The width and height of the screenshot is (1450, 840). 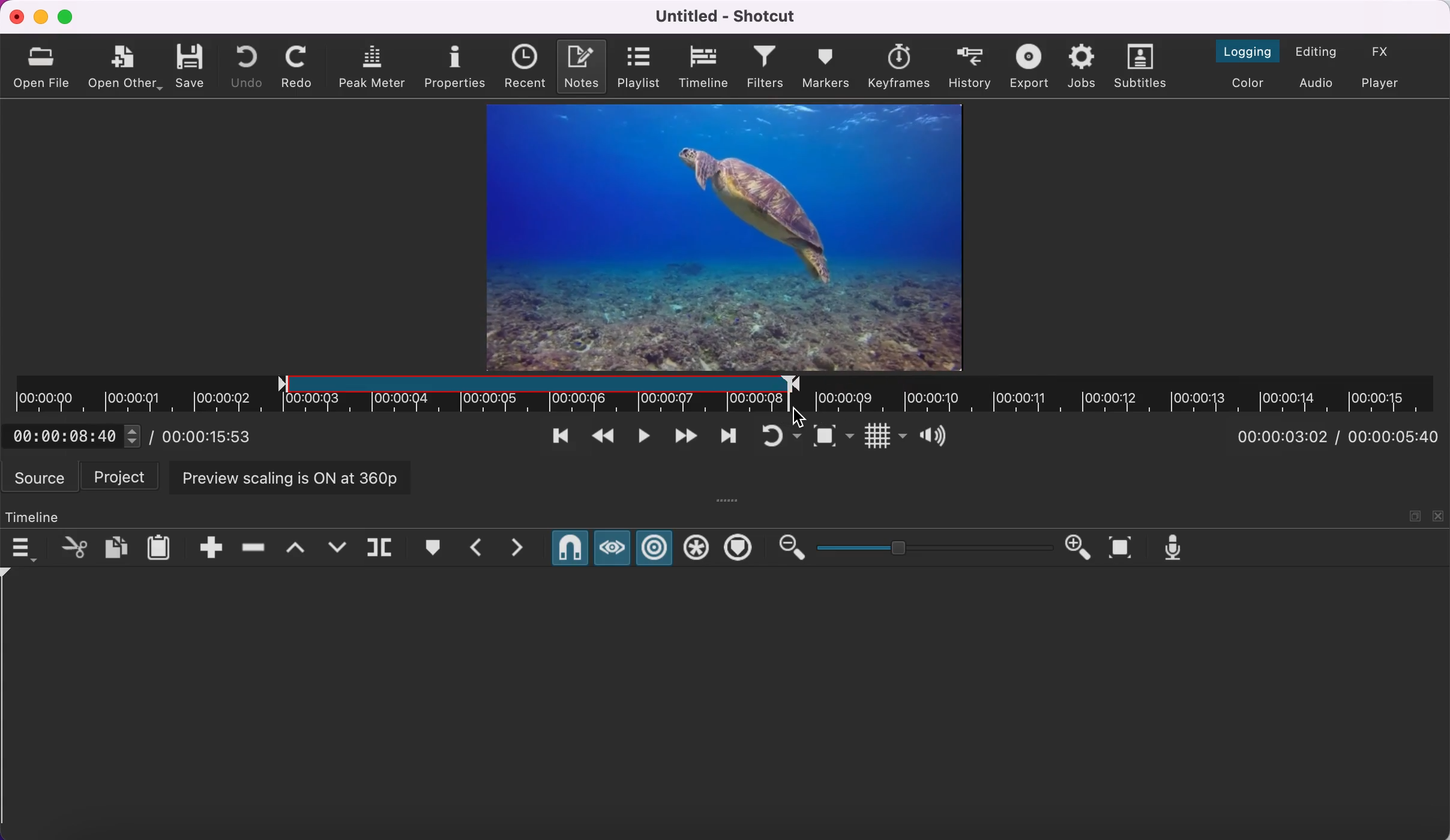 What do you see at coordinates (140, 393) in the screenshot?
I see `unclipped region of timeline` at bounding box center [140, 393].